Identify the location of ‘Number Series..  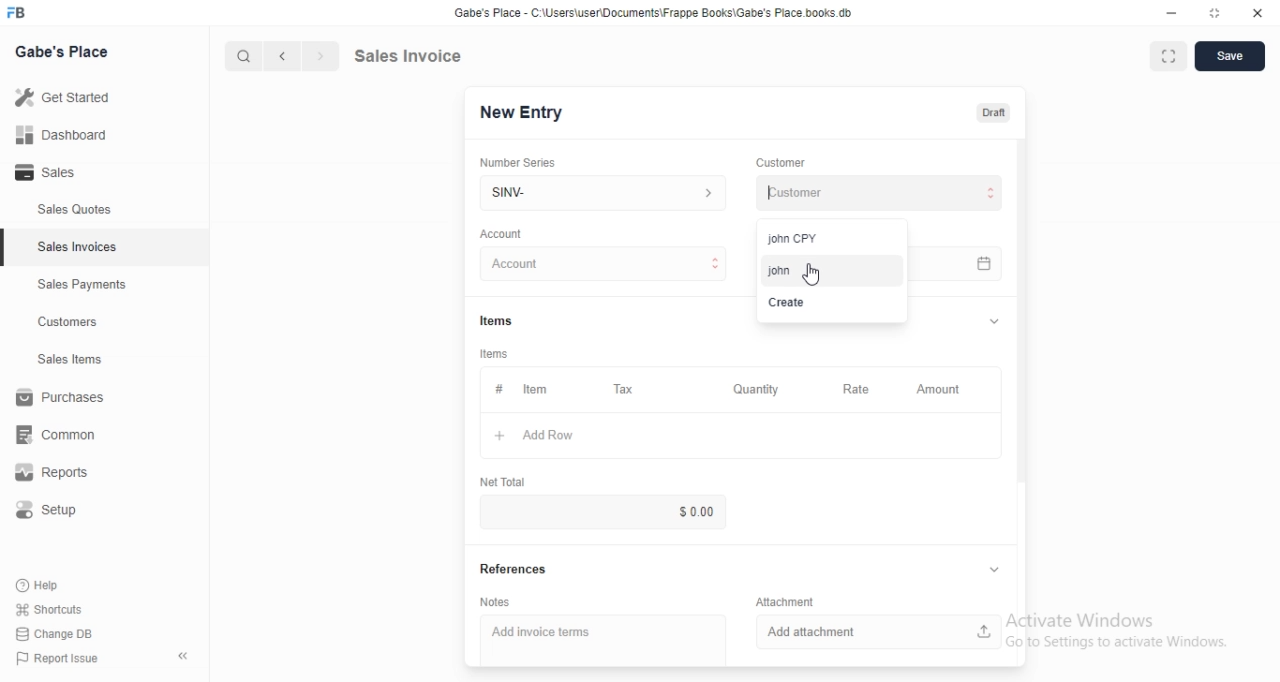
(520, 161).